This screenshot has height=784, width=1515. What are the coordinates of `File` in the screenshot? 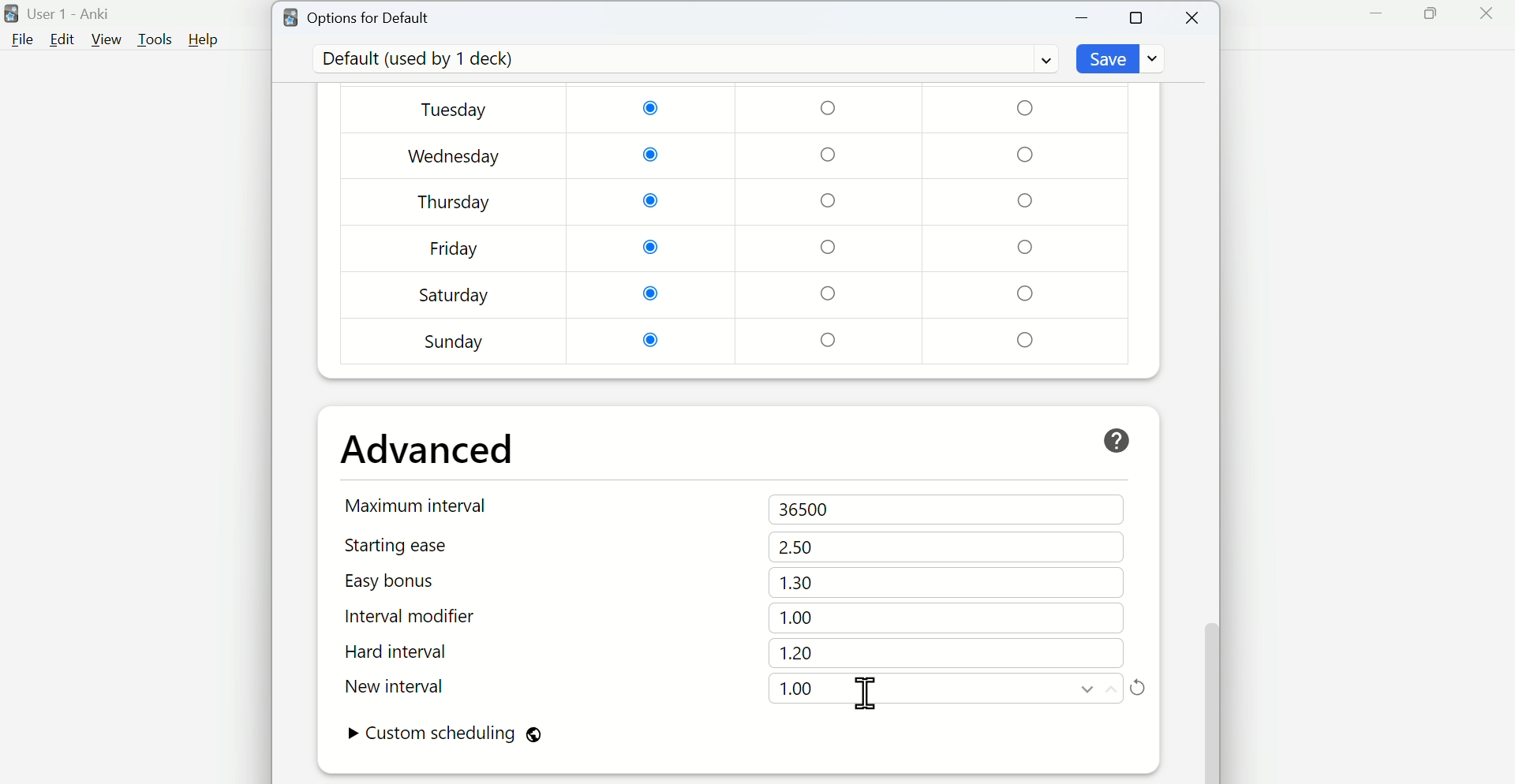 It's located at (20, 40).